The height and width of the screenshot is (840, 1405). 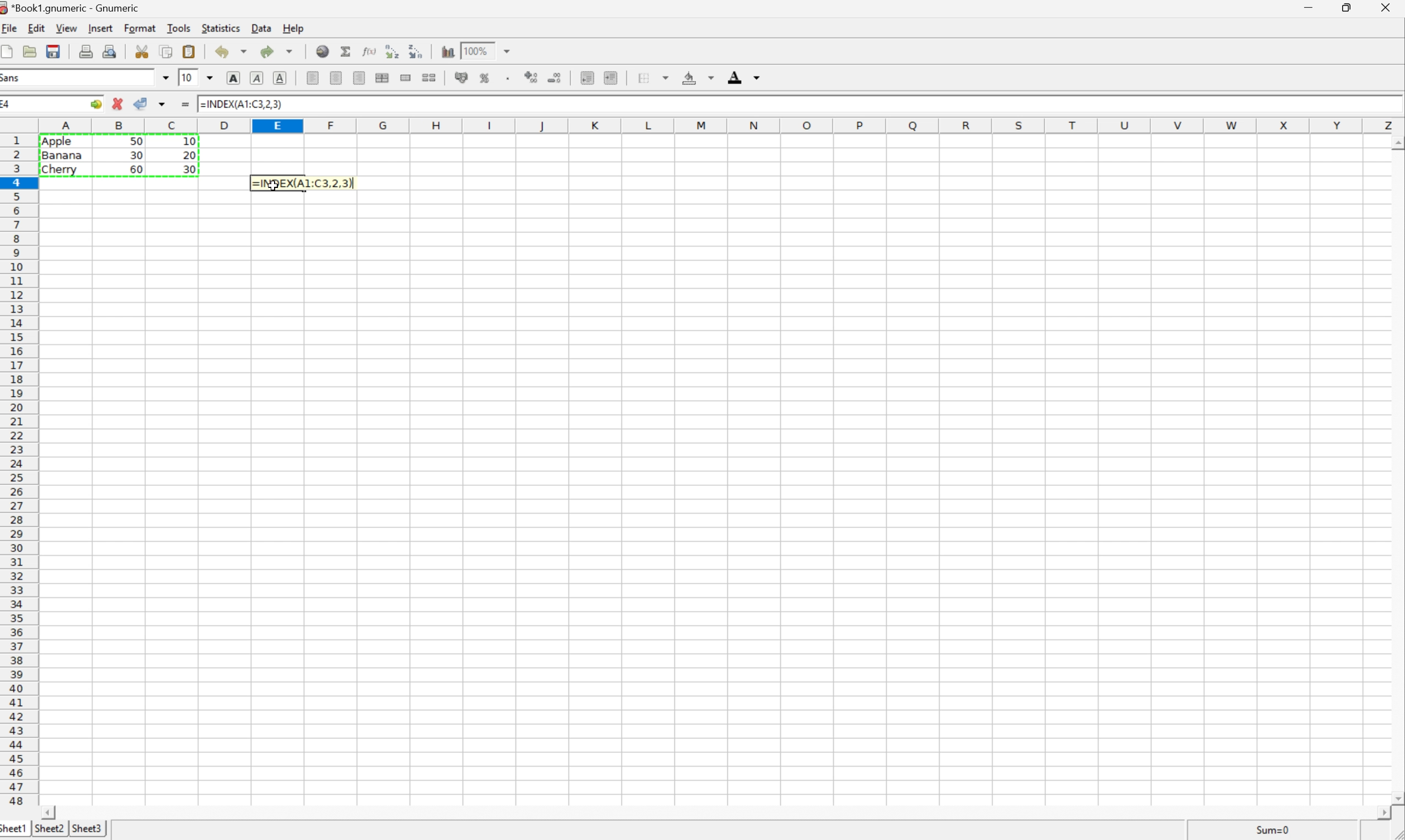 What do you see at coordinates (224, 28) in the screenshot?
I see `statistics` at bounding box center [224, 28].